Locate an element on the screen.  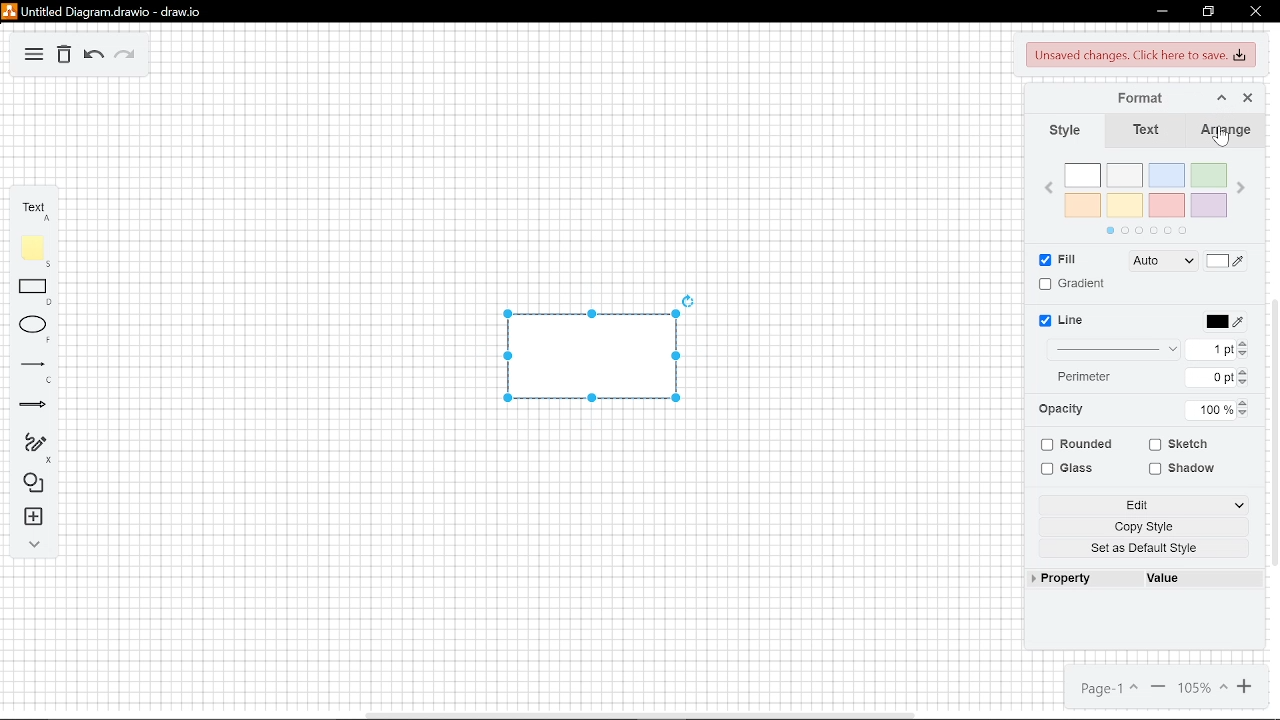
note is located at coordinates (38, 251).